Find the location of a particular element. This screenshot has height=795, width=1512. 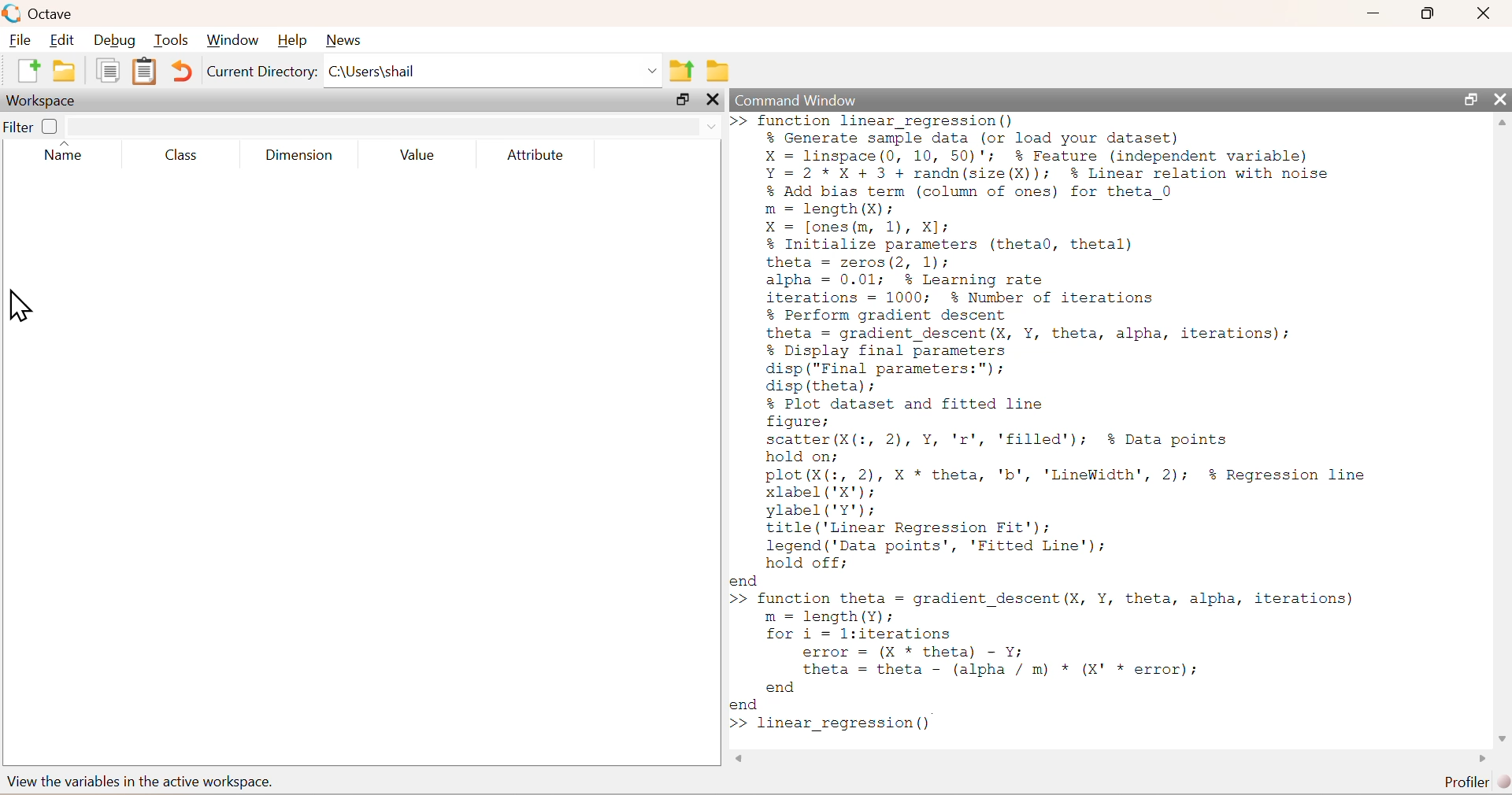

folder is located at coordinates (64, 70).